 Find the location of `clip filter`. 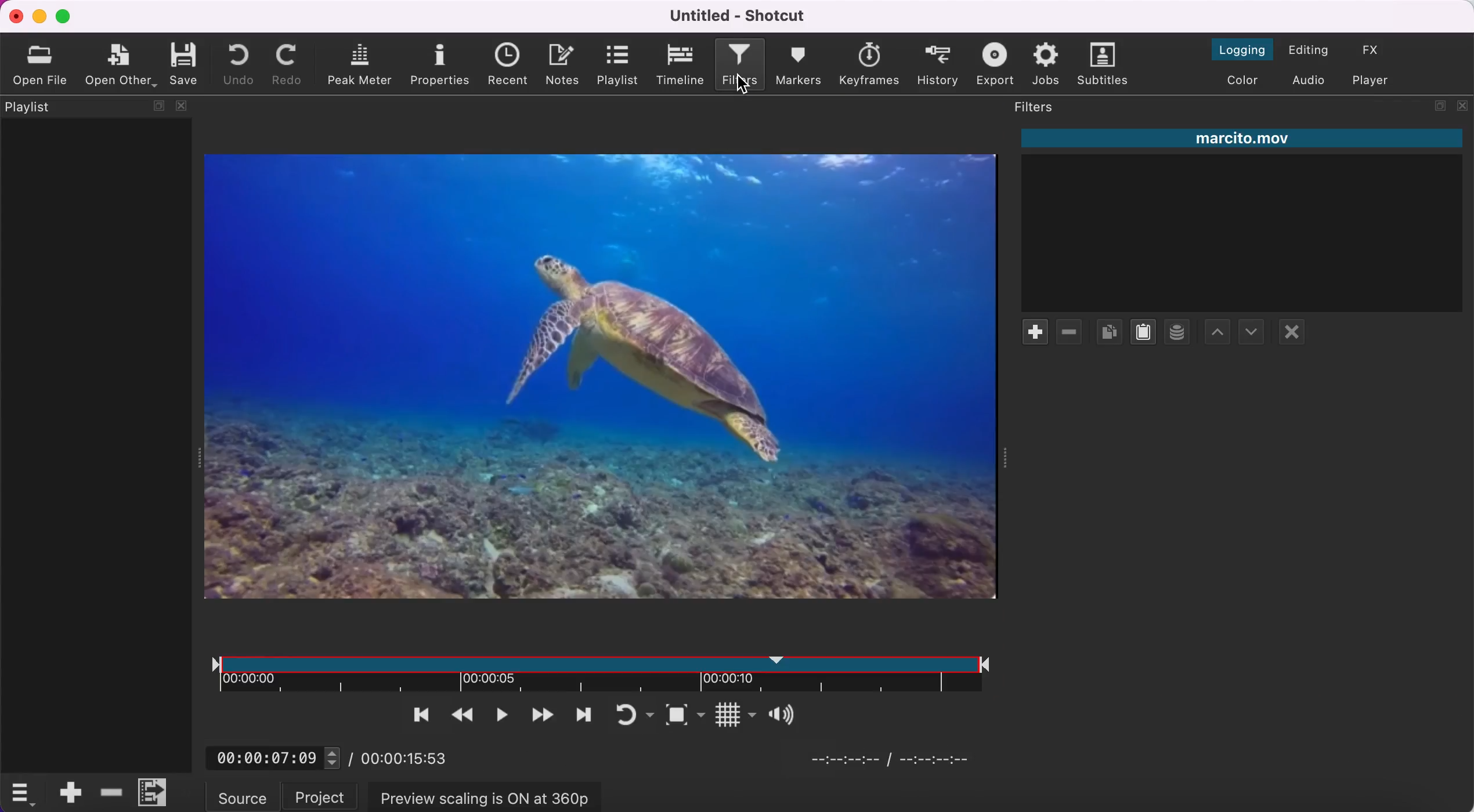

clip filter is located at coordinates (1245, 229).